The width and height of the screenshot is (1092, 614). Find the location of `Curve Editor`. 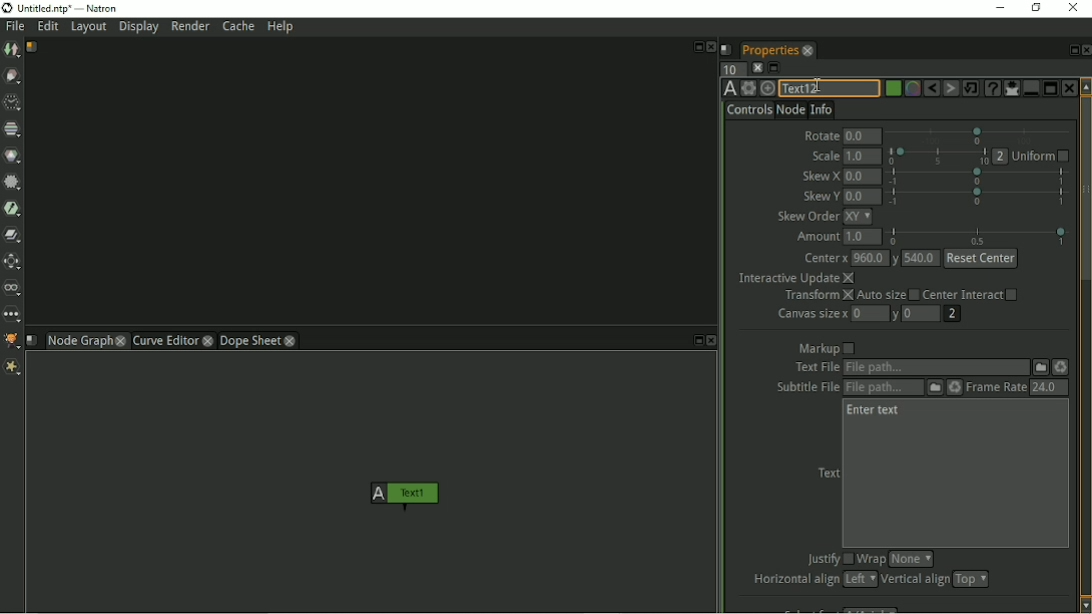

Curve Editor is located at coordinates (164, 340).